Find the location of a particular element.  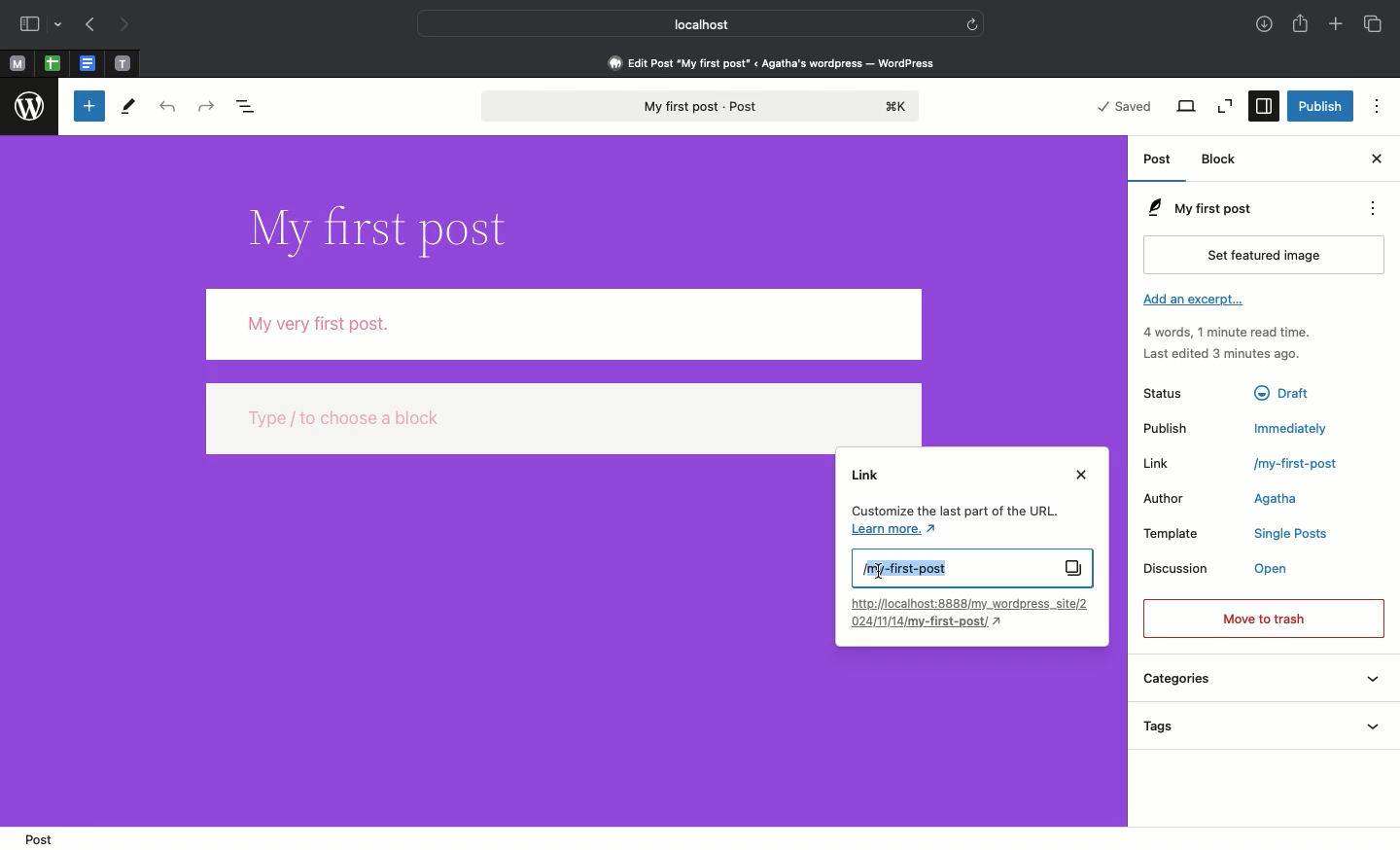

Zoom out is located at coordinates (1227, 108).